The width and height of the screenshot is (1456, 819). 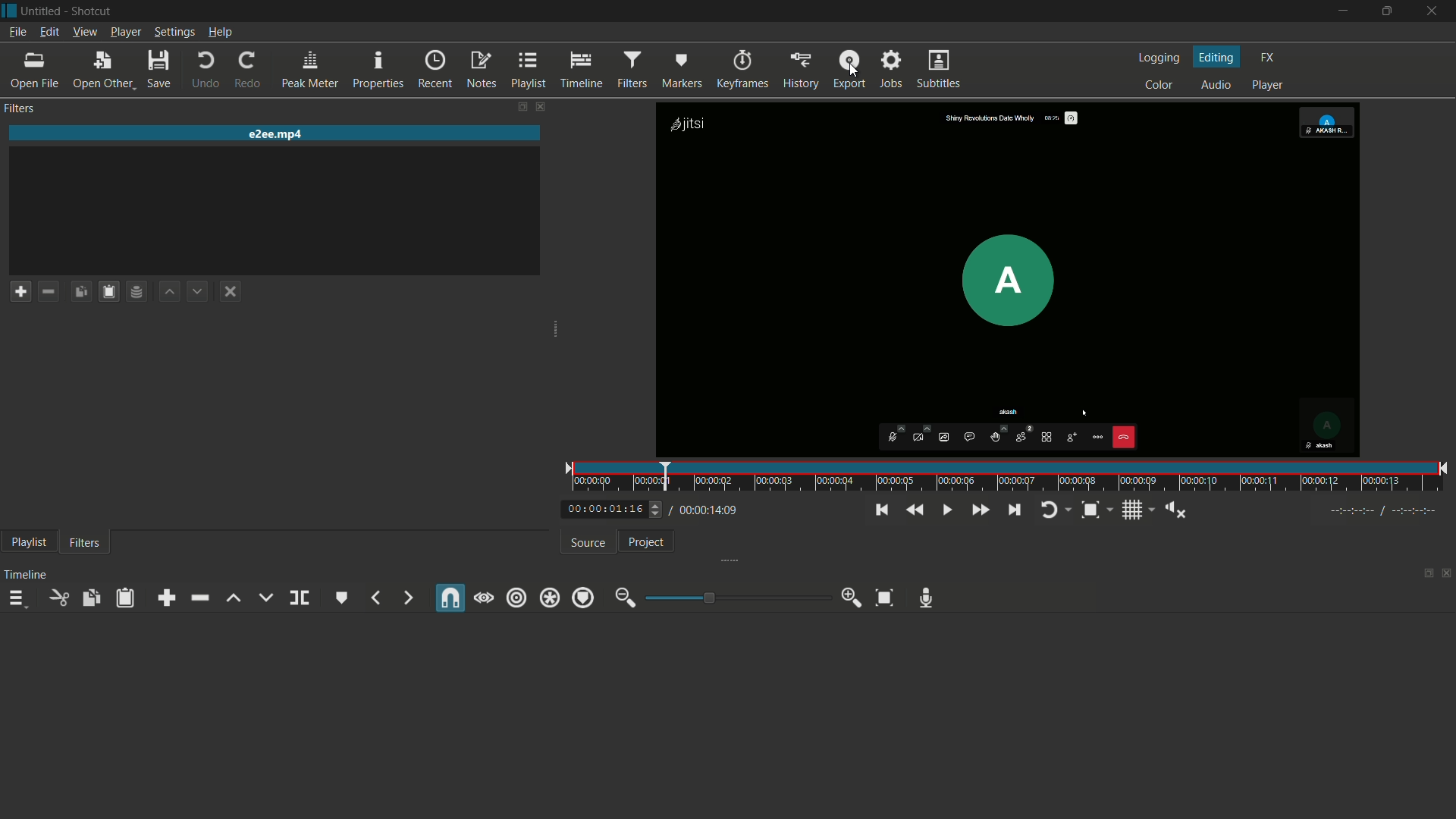 I want to click on timeline menu, so click(x=20, y=601).